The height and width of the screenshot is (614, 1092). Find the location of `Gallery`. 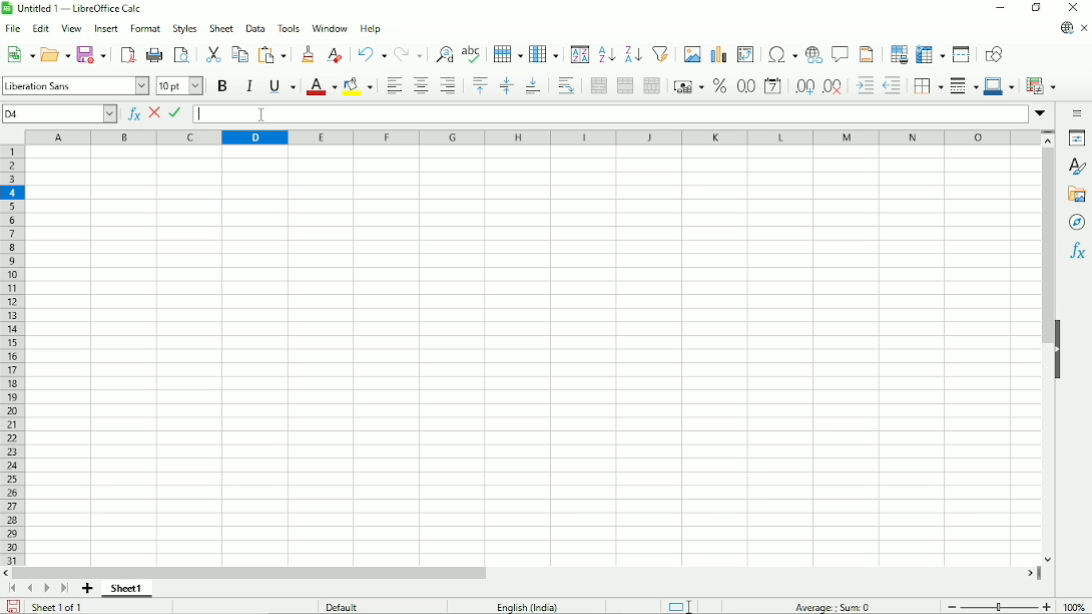

Gallery is located at coordinates (1077, 195).